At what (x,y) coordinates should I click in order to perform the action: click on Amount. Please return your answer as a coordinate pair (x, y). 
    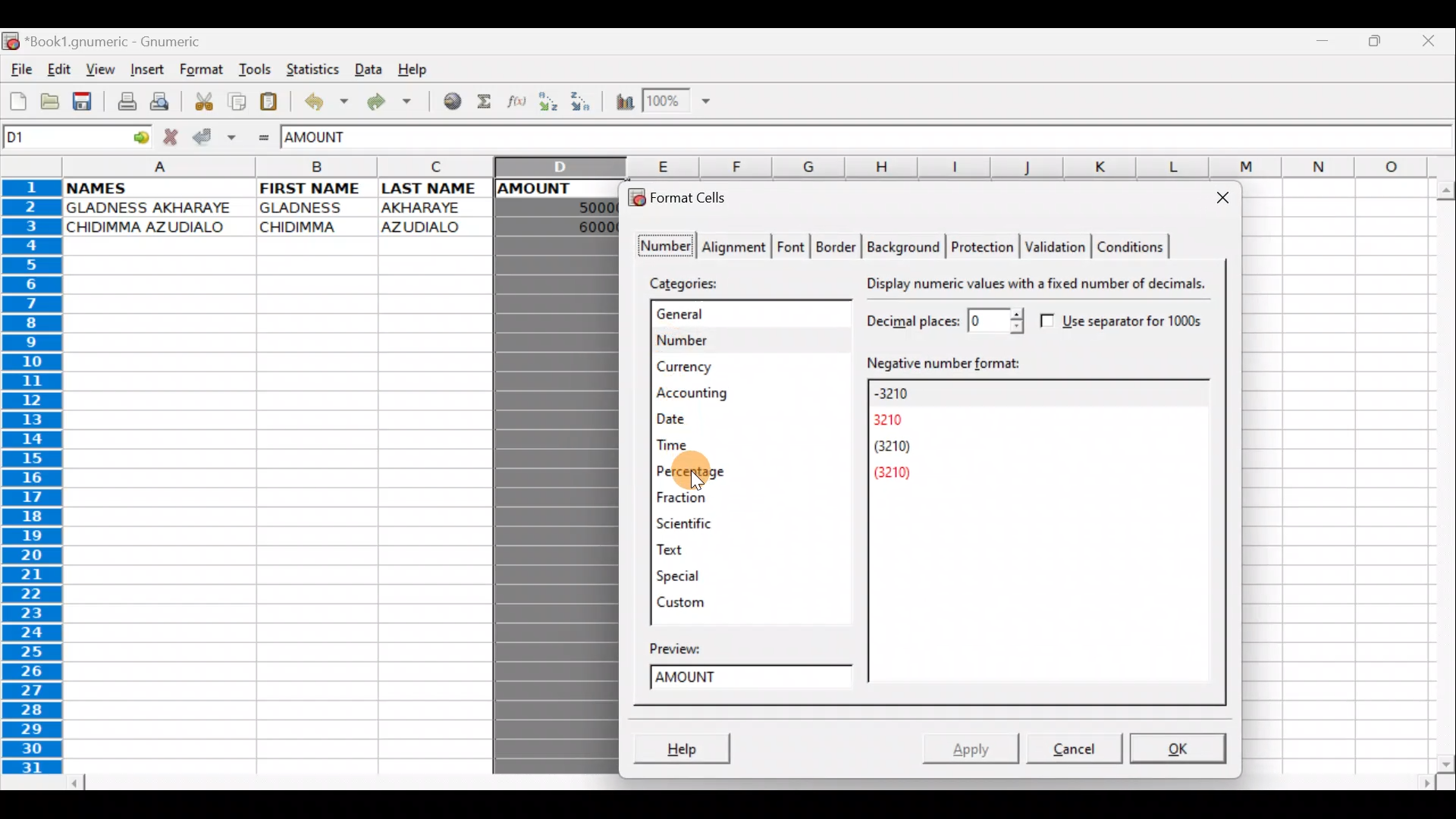
    Looking at the image, I should click on (755, 679).